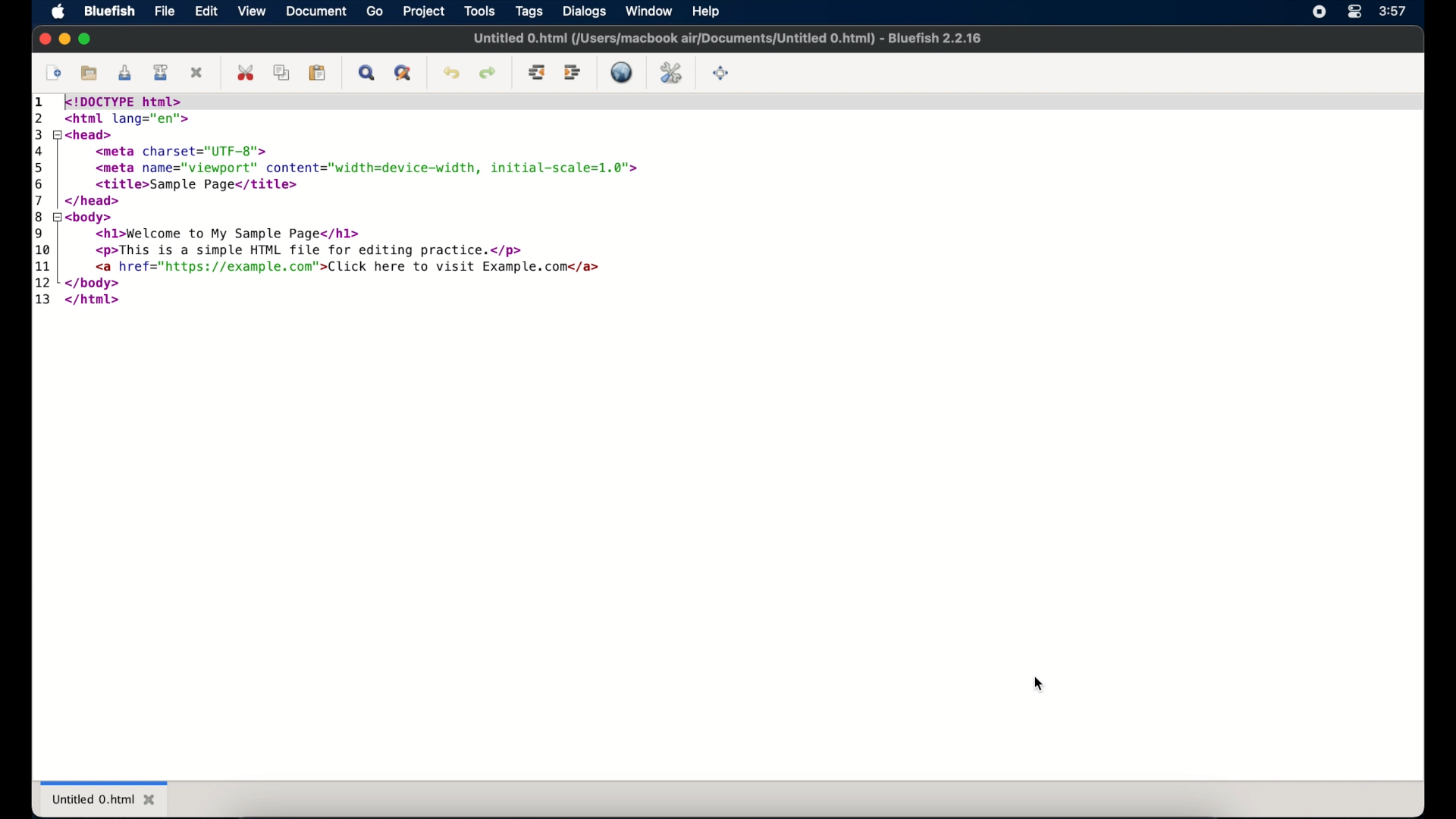 The height and width of the screenshot is (819, 1456). I want to click on cut, so click(246, 73).